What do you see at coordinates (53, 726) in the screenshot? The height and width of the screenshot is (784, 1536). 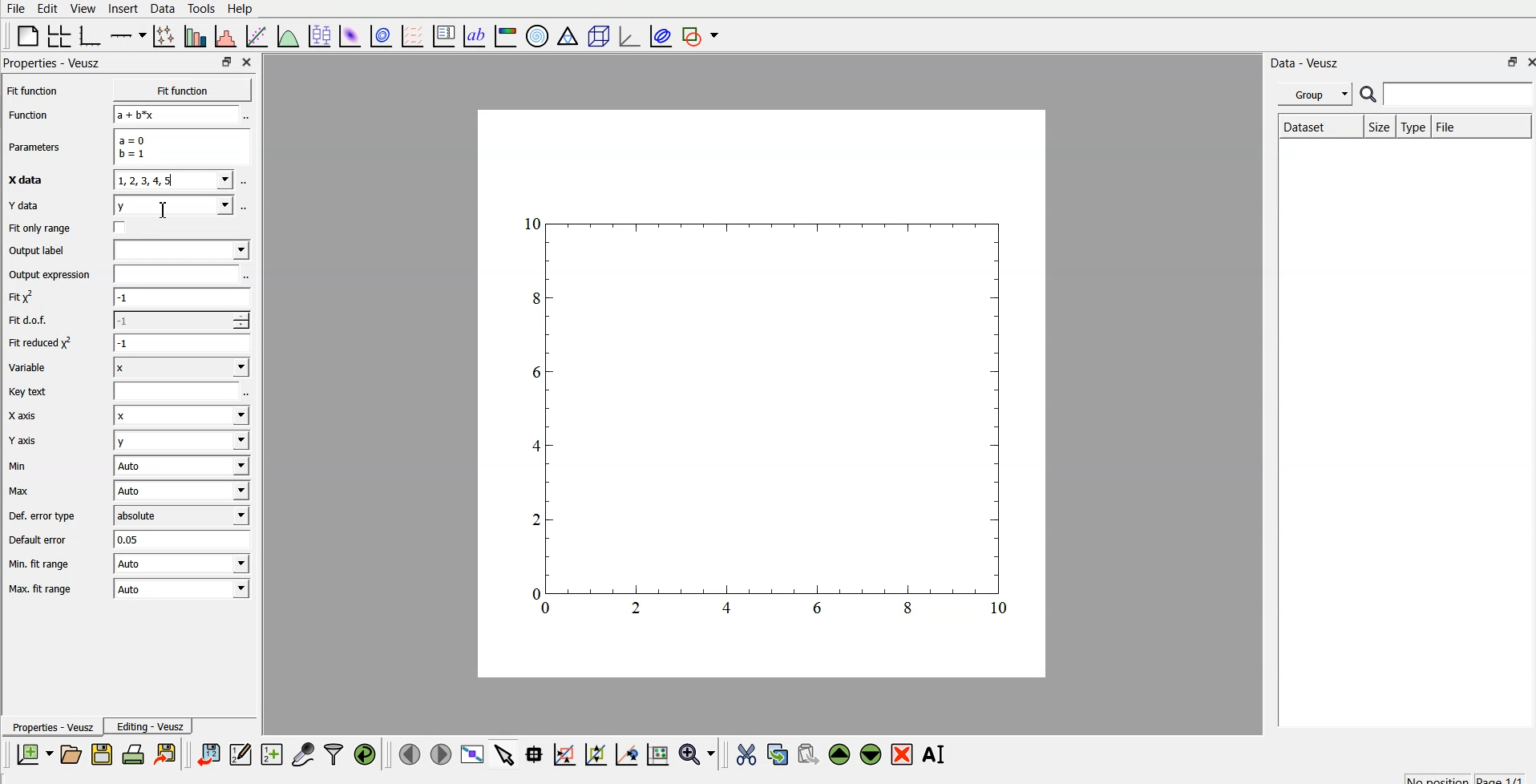 I see `Properties - Veusz` at bounding box center [53, 726].